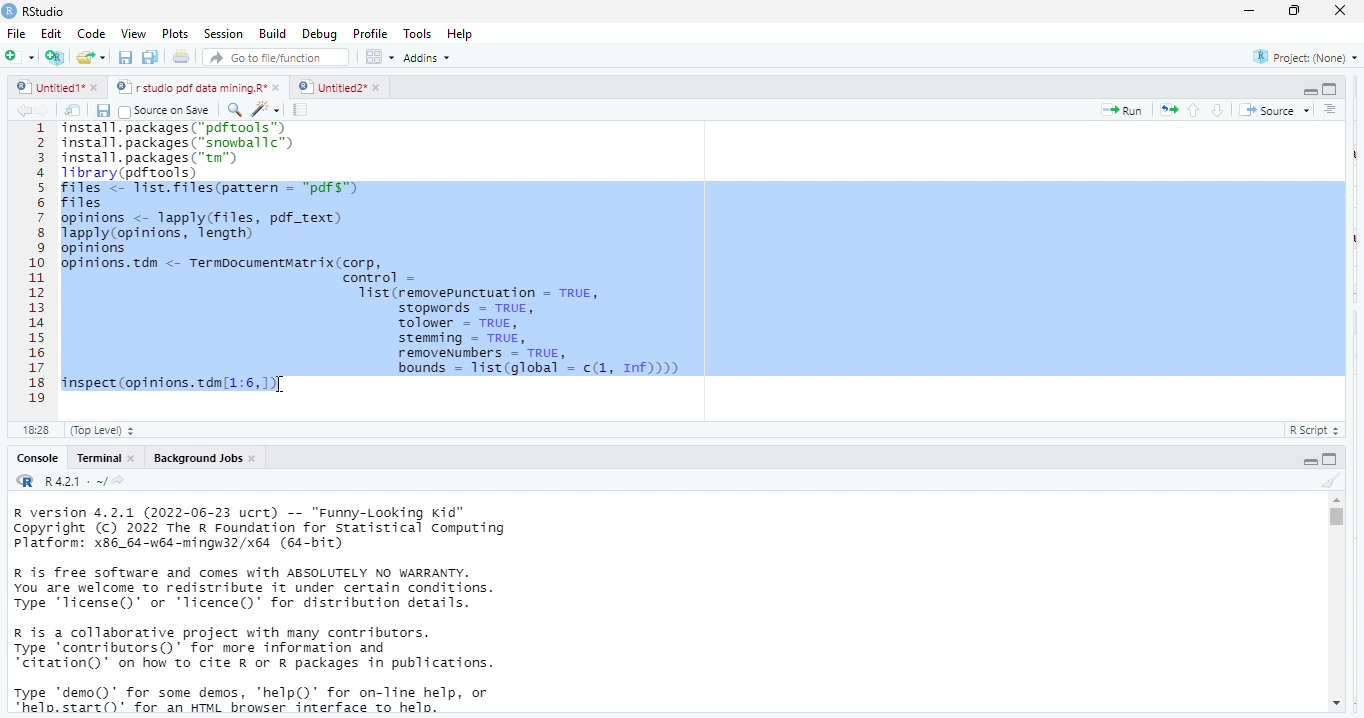 The image size is (1364, 718). I want to click on cursor movement, so click(283, 387).